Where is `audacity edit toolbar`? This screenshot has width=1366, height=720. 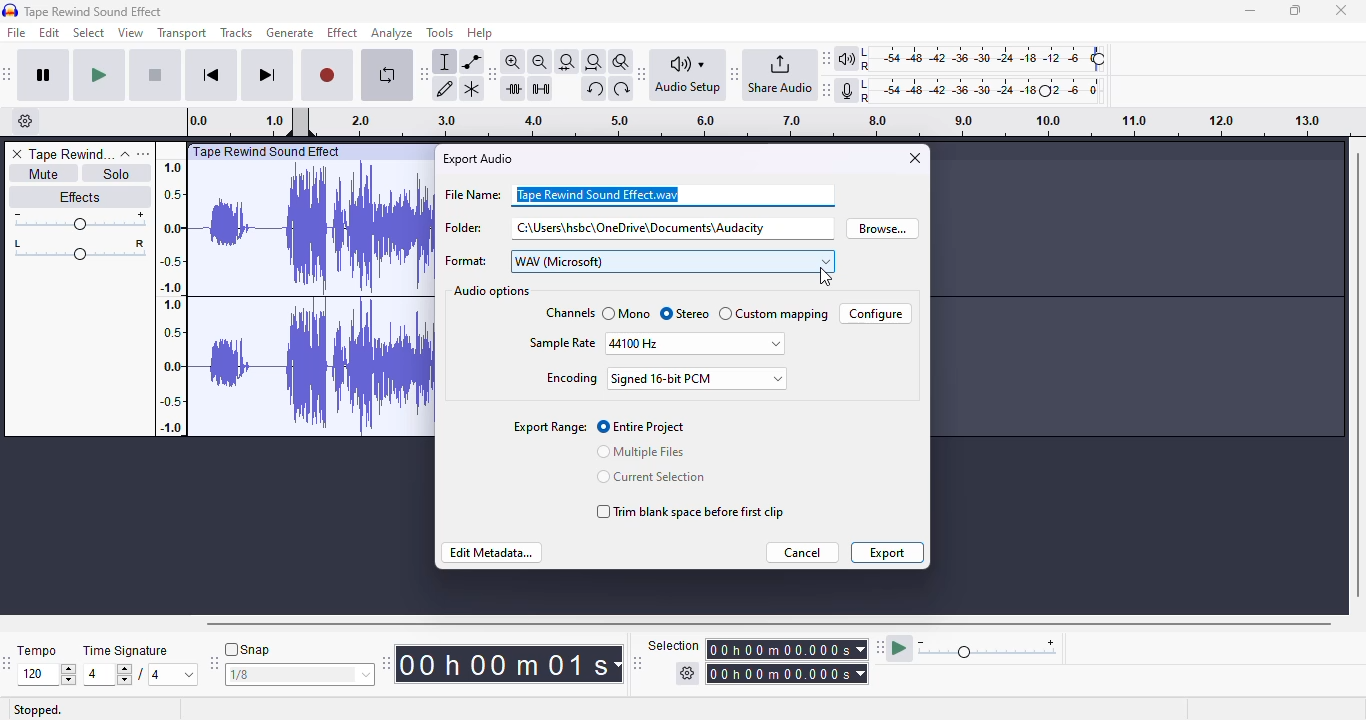
audacity edit toolbar is located at coordinates (492, 74).